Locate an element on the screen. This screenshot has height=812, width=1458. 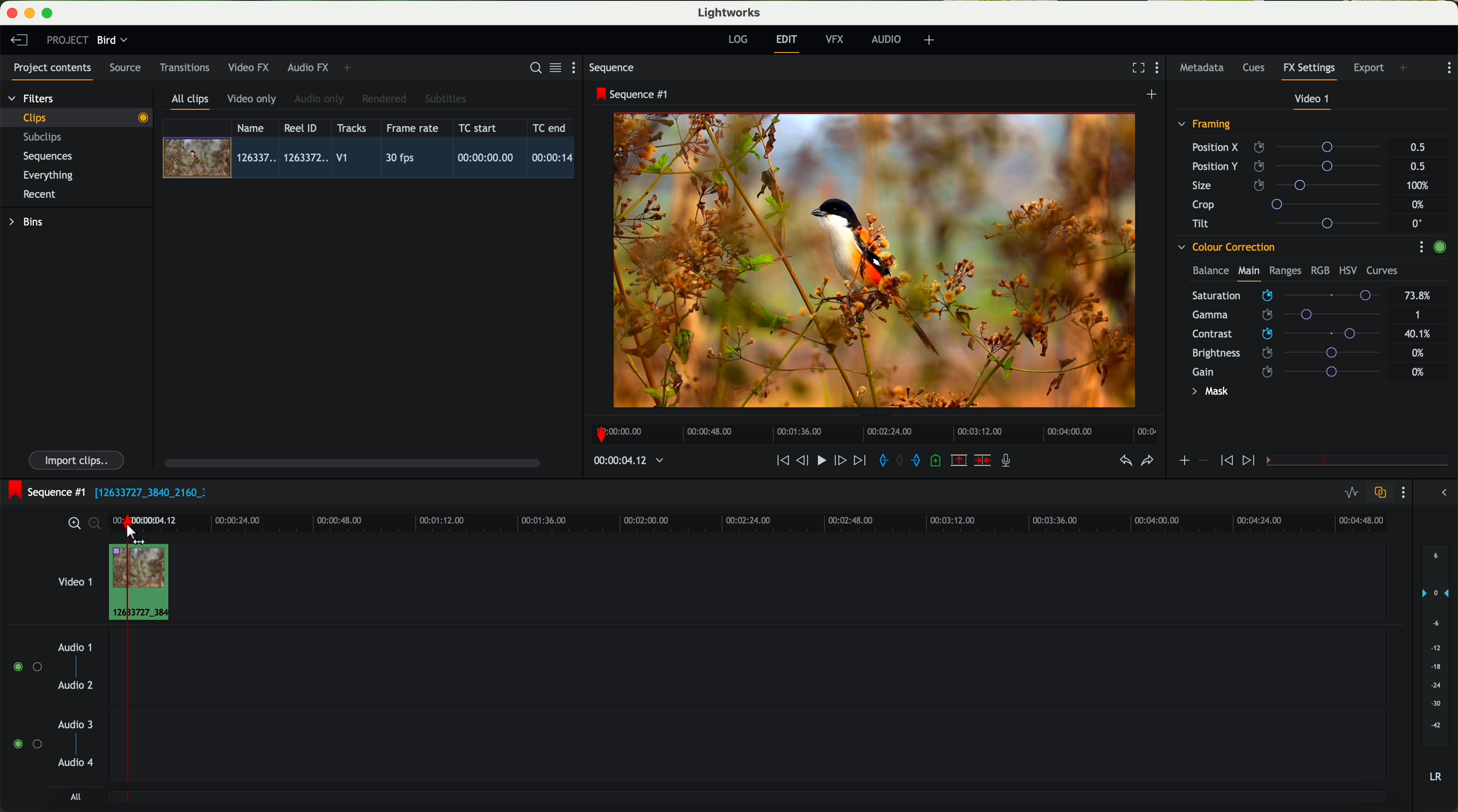
framing is located at coordinates (1205, 126).